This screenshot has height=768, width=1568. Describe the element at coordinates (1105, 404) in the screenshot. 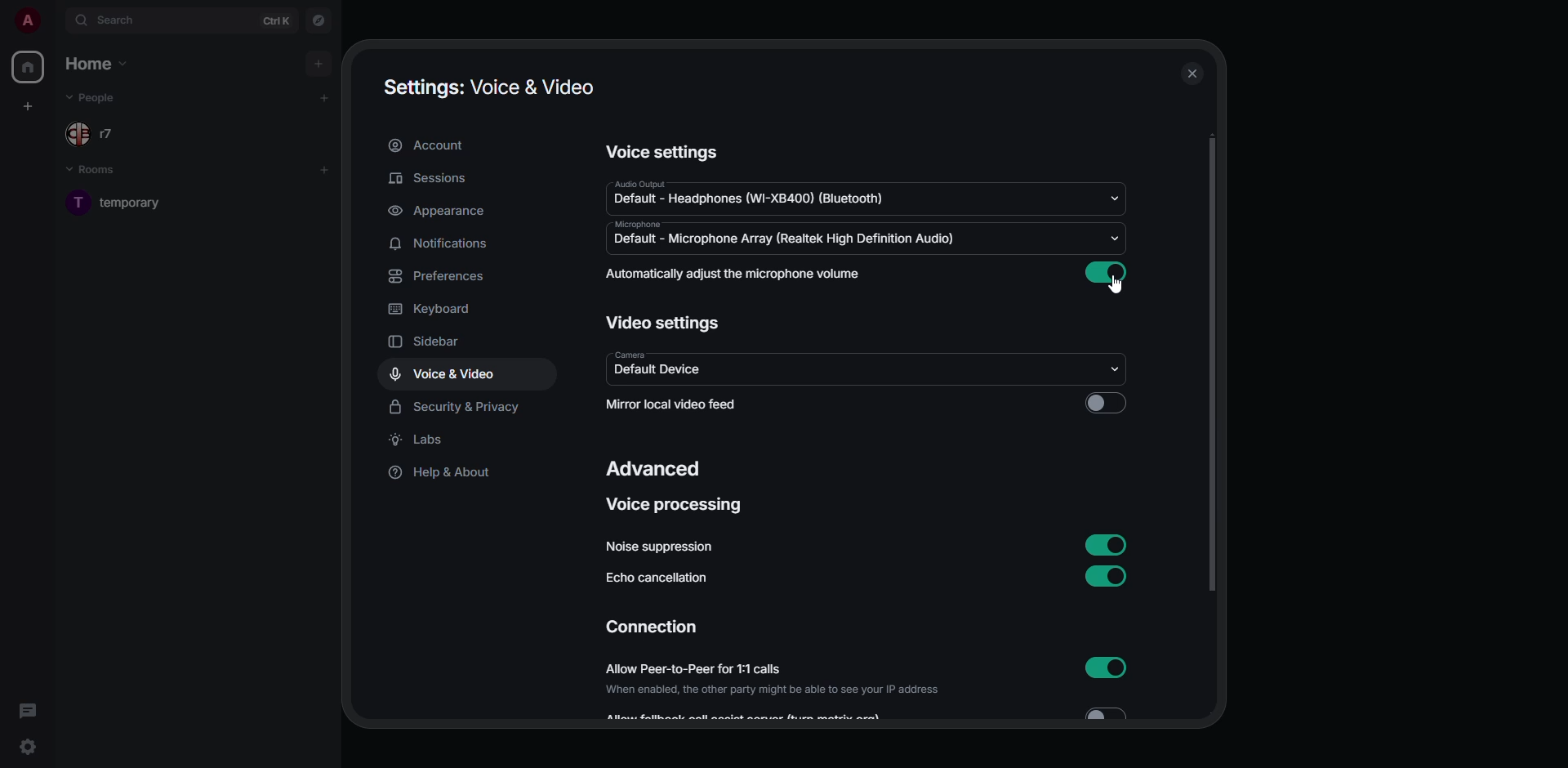

I see `click to enable` at that location.